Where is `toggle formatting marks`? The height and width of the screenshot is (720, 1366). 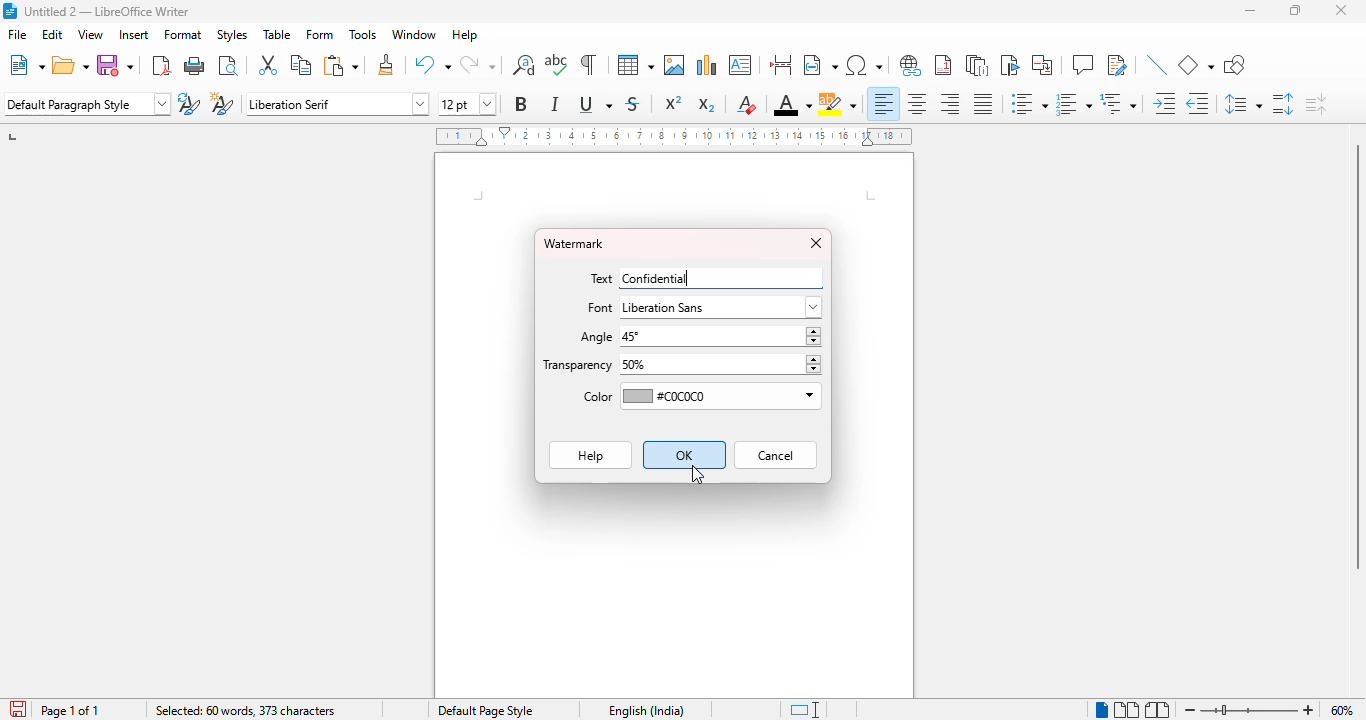
toggle formatting marks is located at coordinates (587, 64).